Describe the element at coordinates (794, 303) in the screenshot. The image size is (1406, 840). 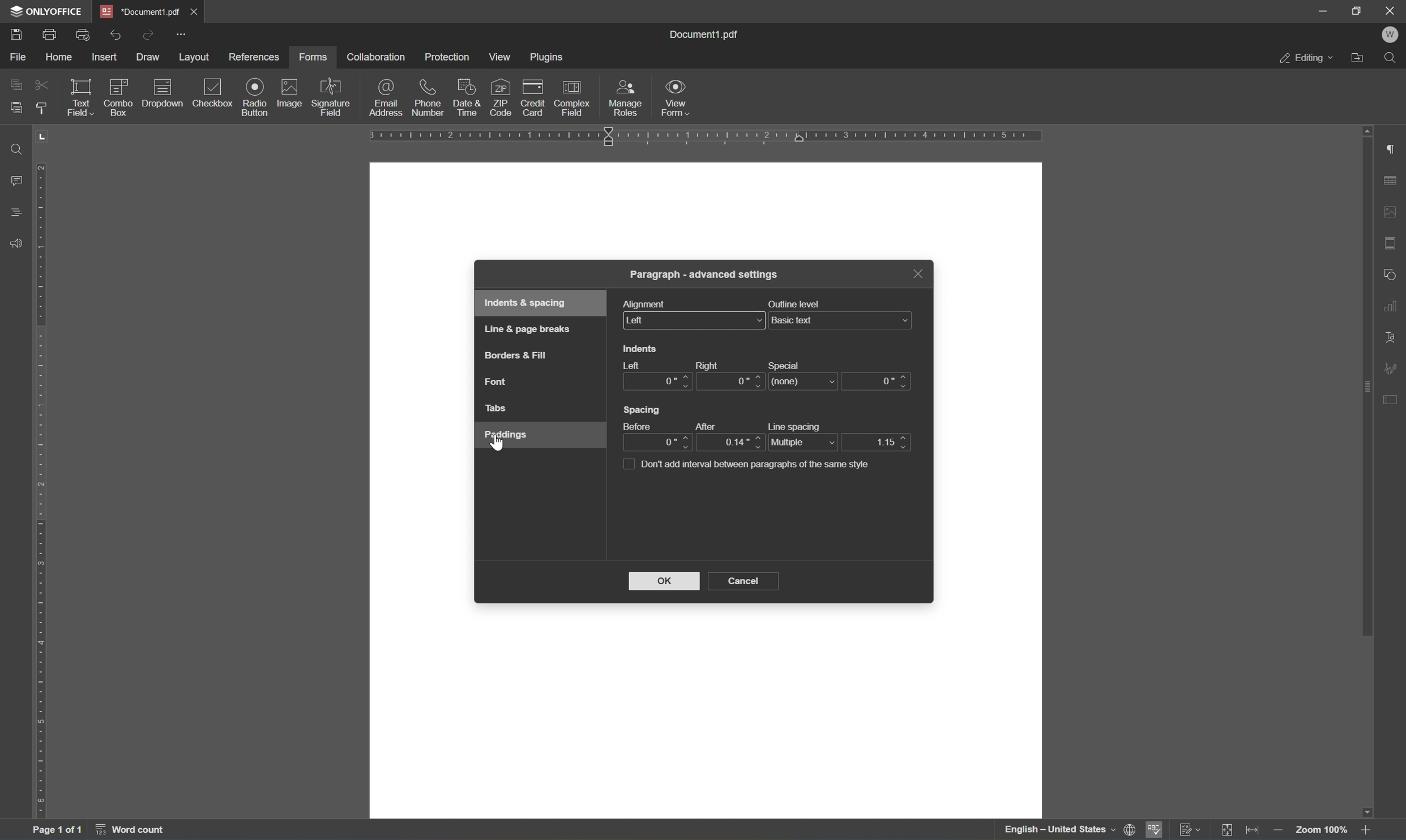
I see `outline level` at that location.